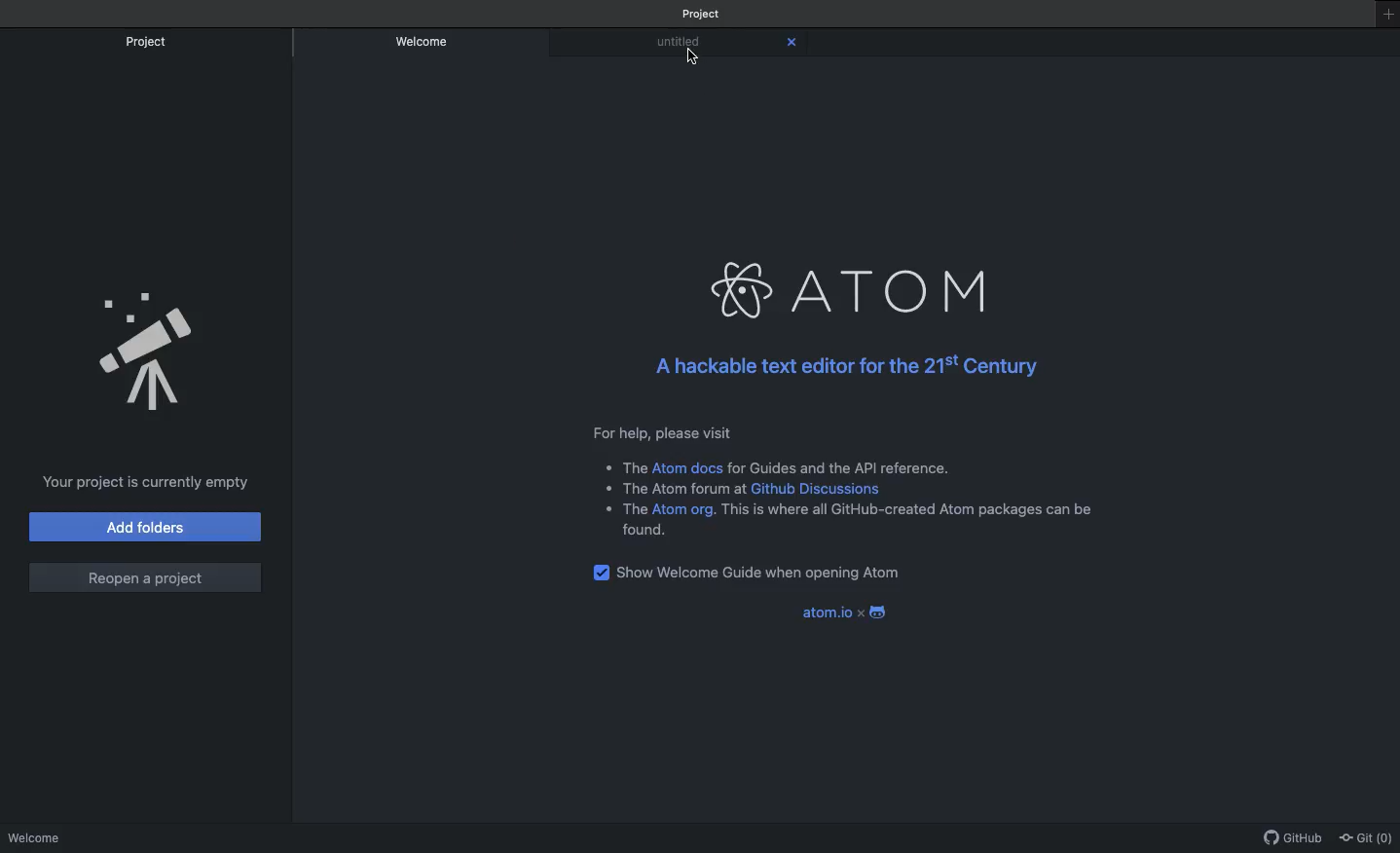 Image resolution: width=1400 pixels, height=853 pixels. Describe the element at coordinates (1367, 839) in the screenshot. I see `Git` at that location.